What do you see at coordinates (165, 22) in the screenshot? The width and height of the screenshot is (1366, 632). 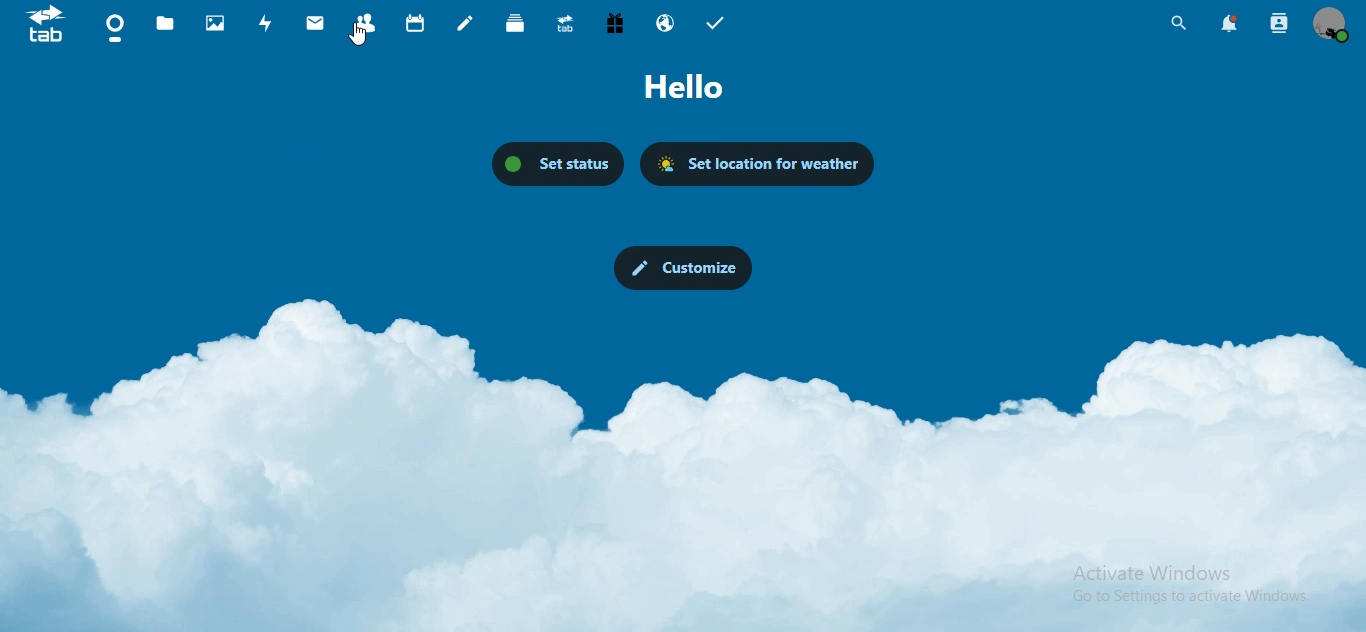 I see `files` at bounding box center [165, 22].